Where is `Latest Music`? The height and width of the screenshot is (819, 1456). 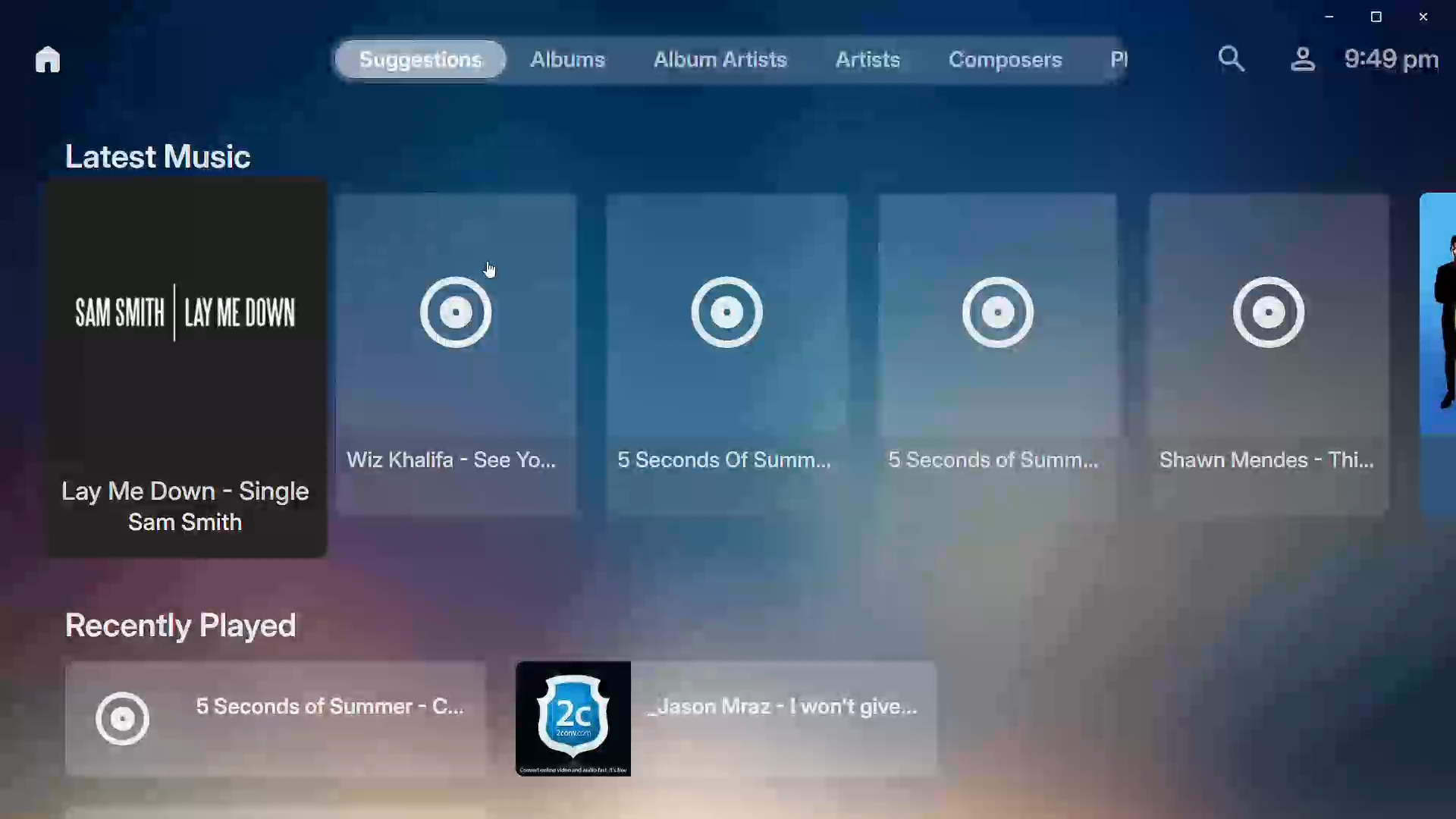
Latest Music is located at coordinates (151, 151).